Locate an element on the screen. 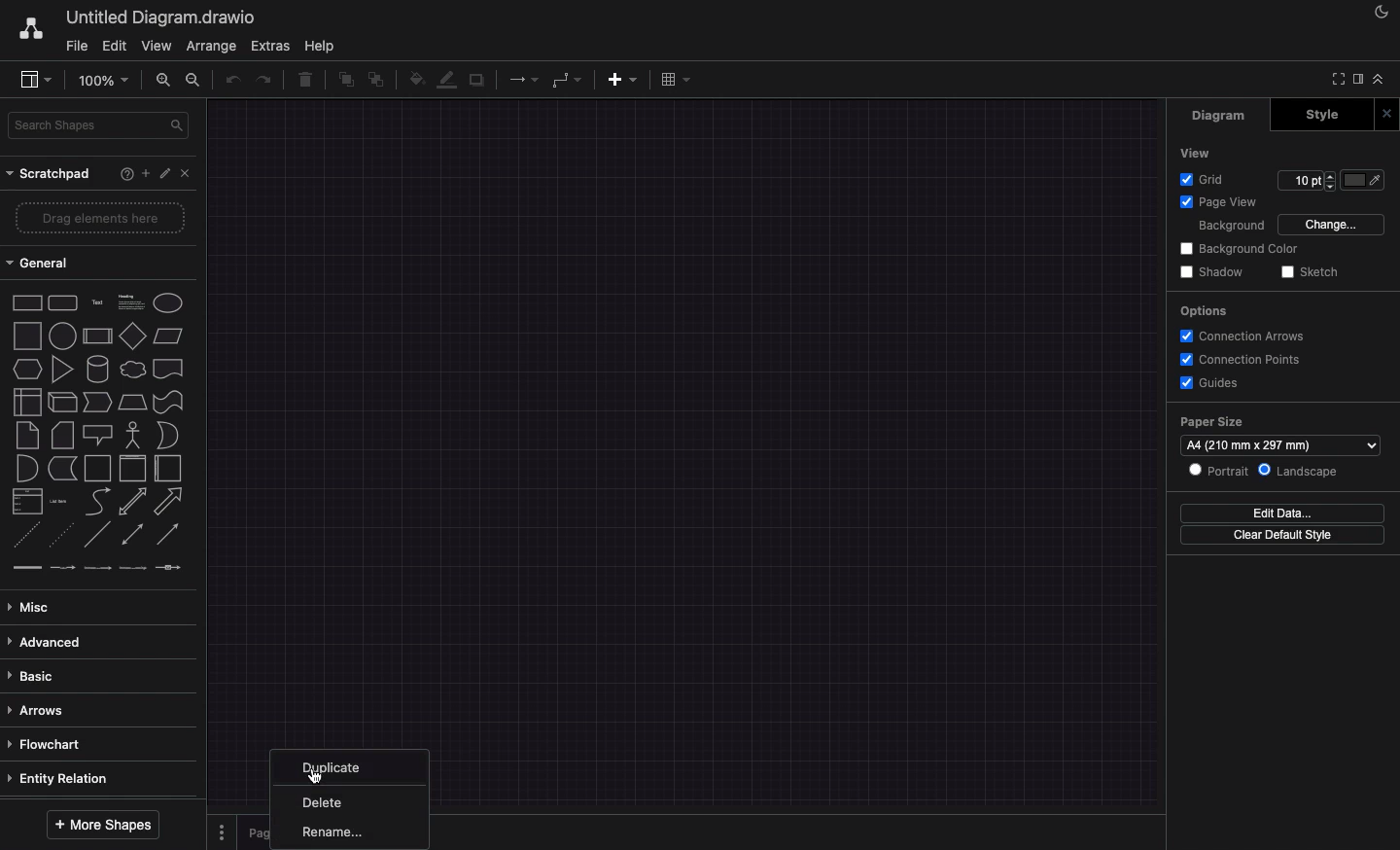 The width and height of the screenshot is (1400, 850). night mode is located at coordinates (1381, 12).